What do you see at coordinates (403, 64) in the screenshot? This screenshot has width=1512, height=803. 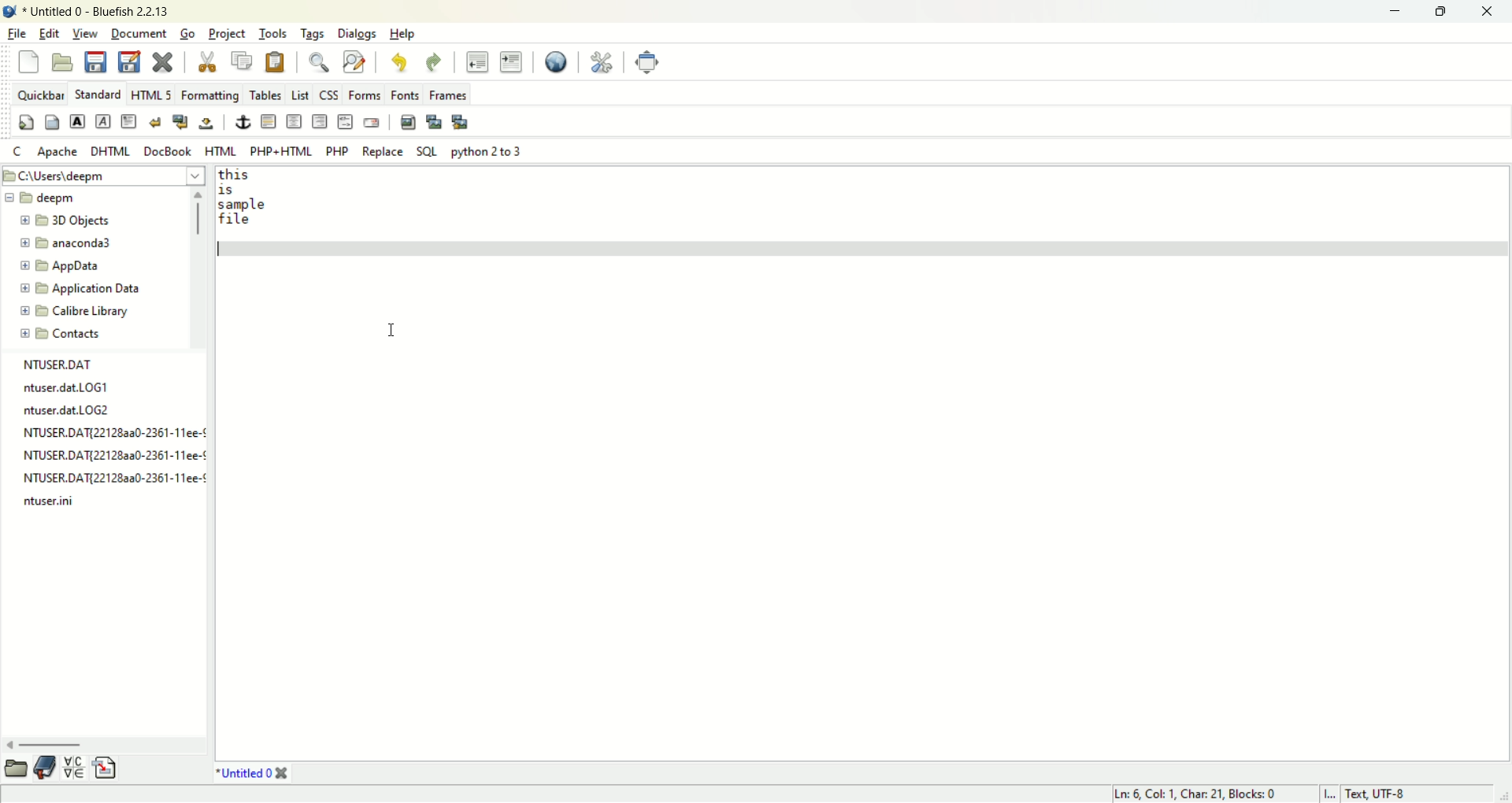 I see `undo` at bounding box center [403, 64].